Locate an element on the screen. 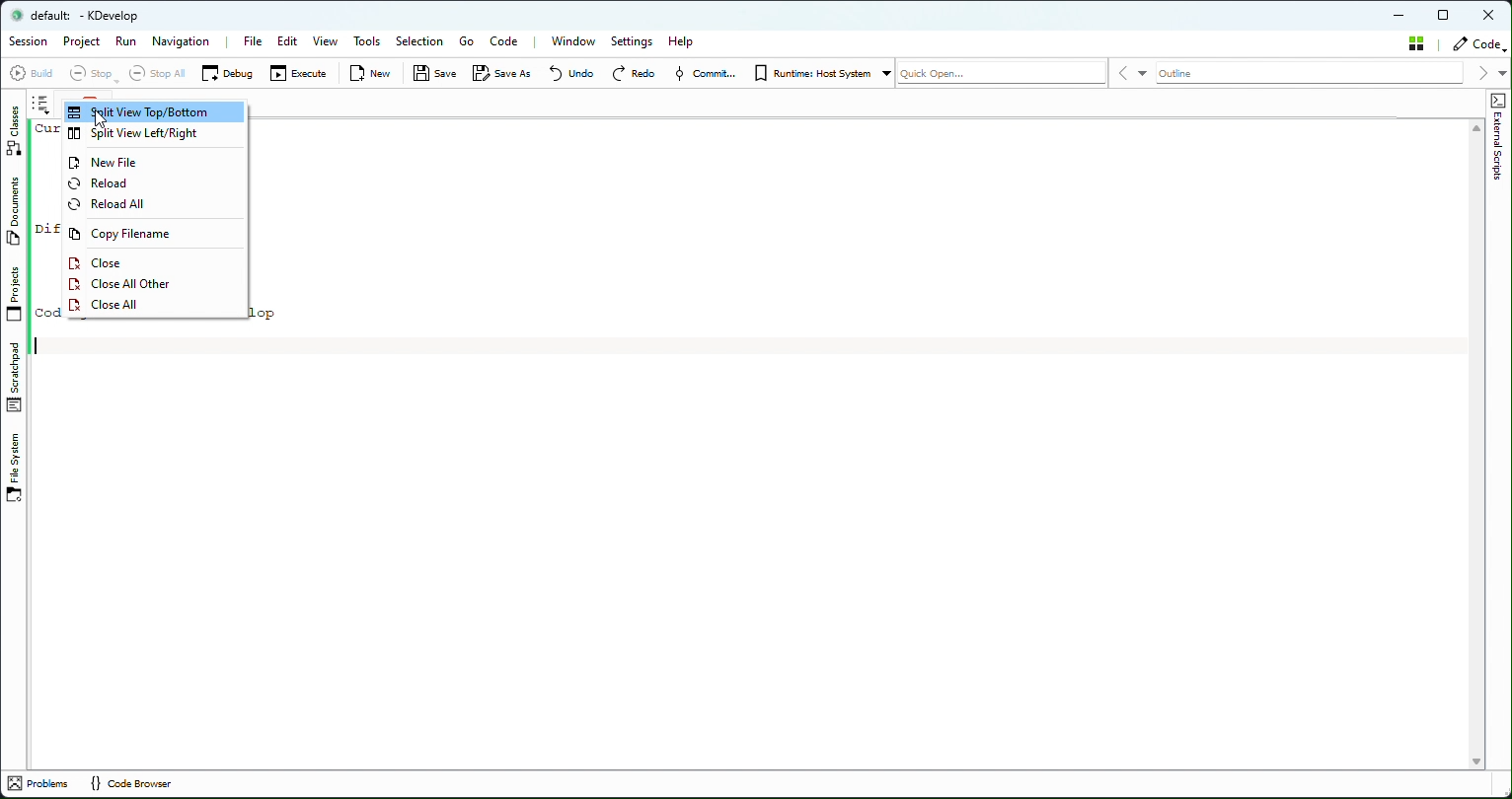 This screenshot has height=799, width=1512. Stash is located at coordinates (1416, 43).